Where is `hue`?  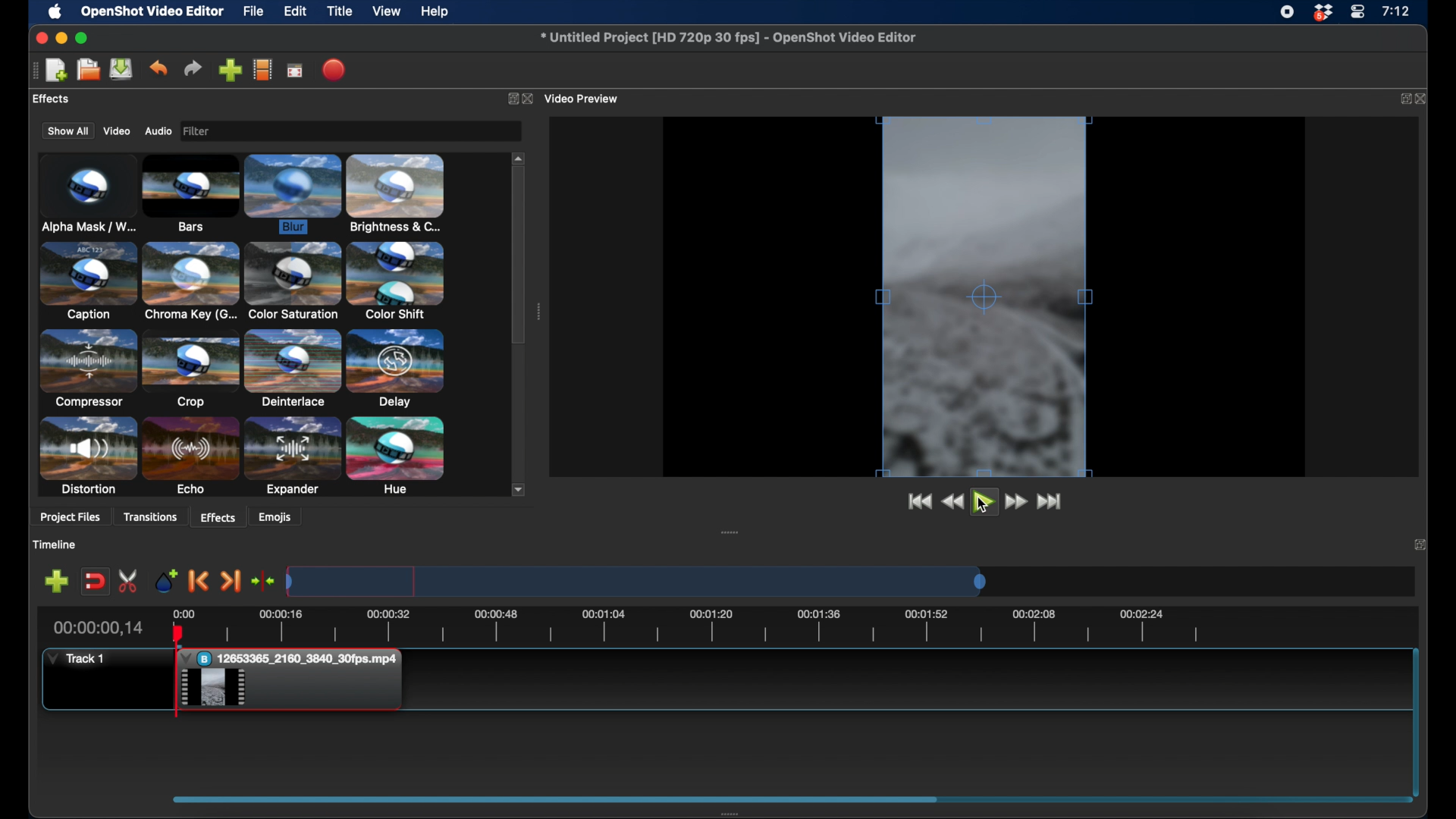
hue is located at coordinates (396, 457).